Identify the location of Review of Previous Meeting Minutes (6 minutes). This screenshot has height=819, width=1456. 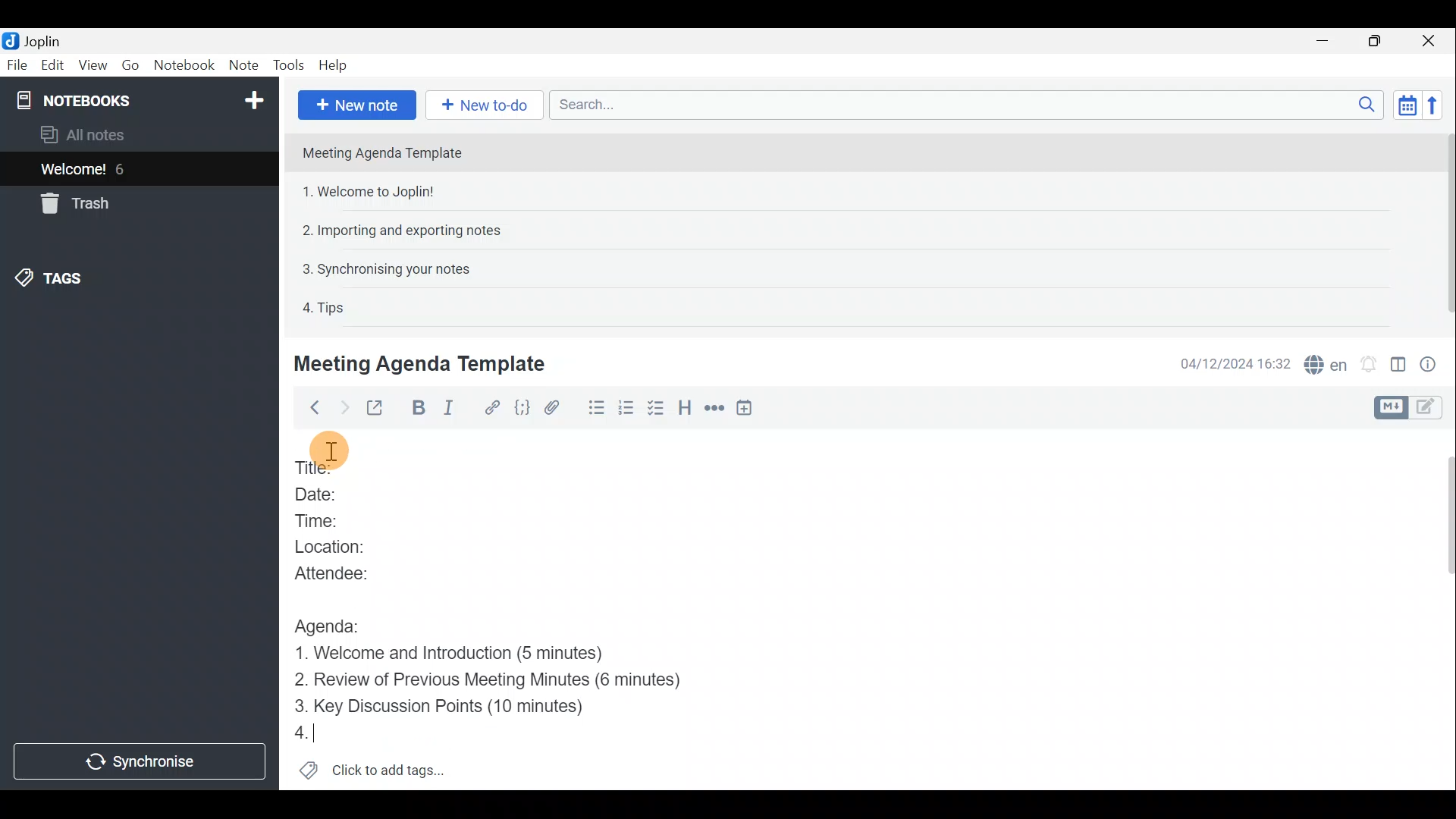
(512, 681).